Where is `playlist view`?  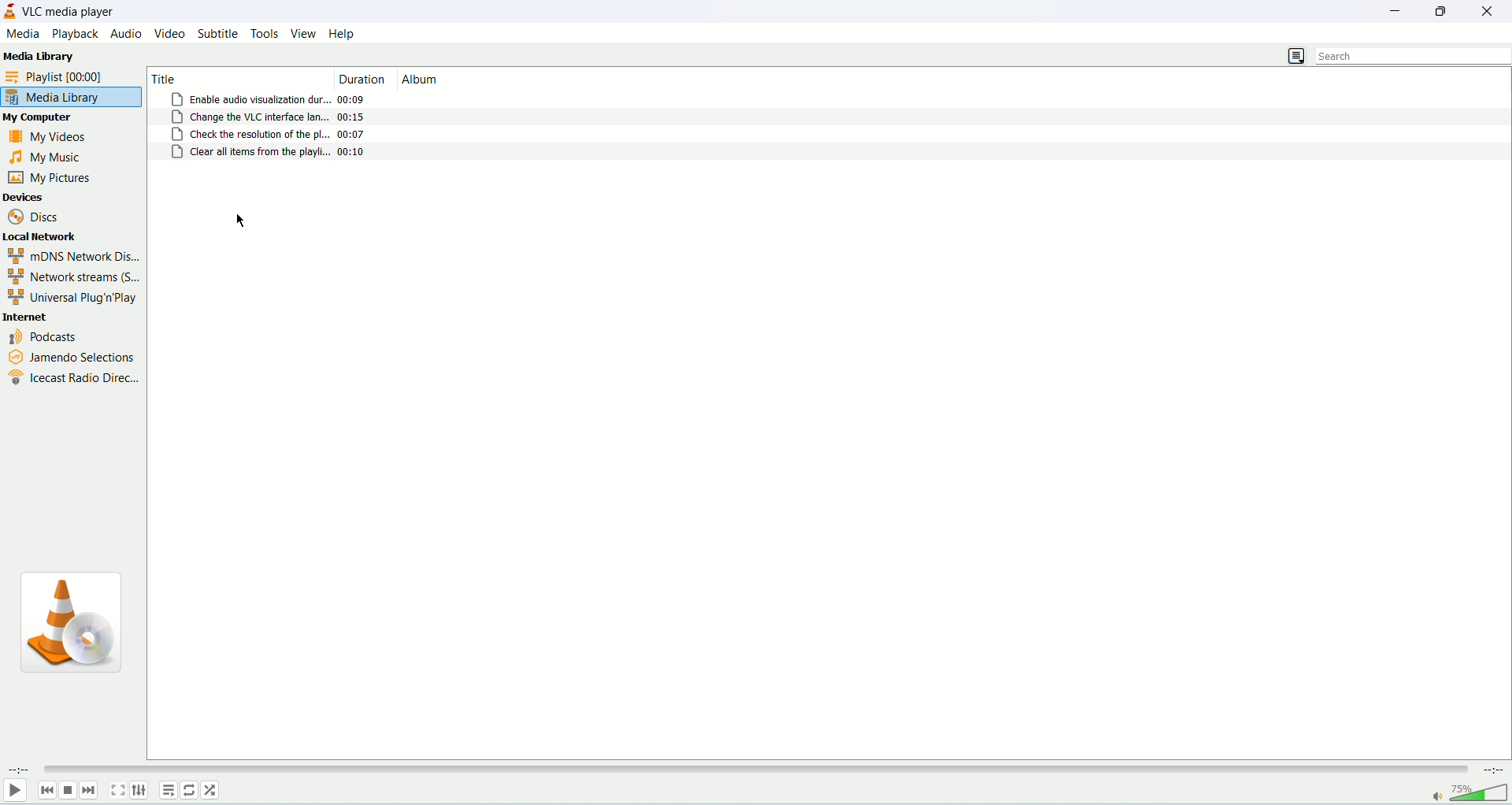 playlist view is located at coordinates (1295, 54).